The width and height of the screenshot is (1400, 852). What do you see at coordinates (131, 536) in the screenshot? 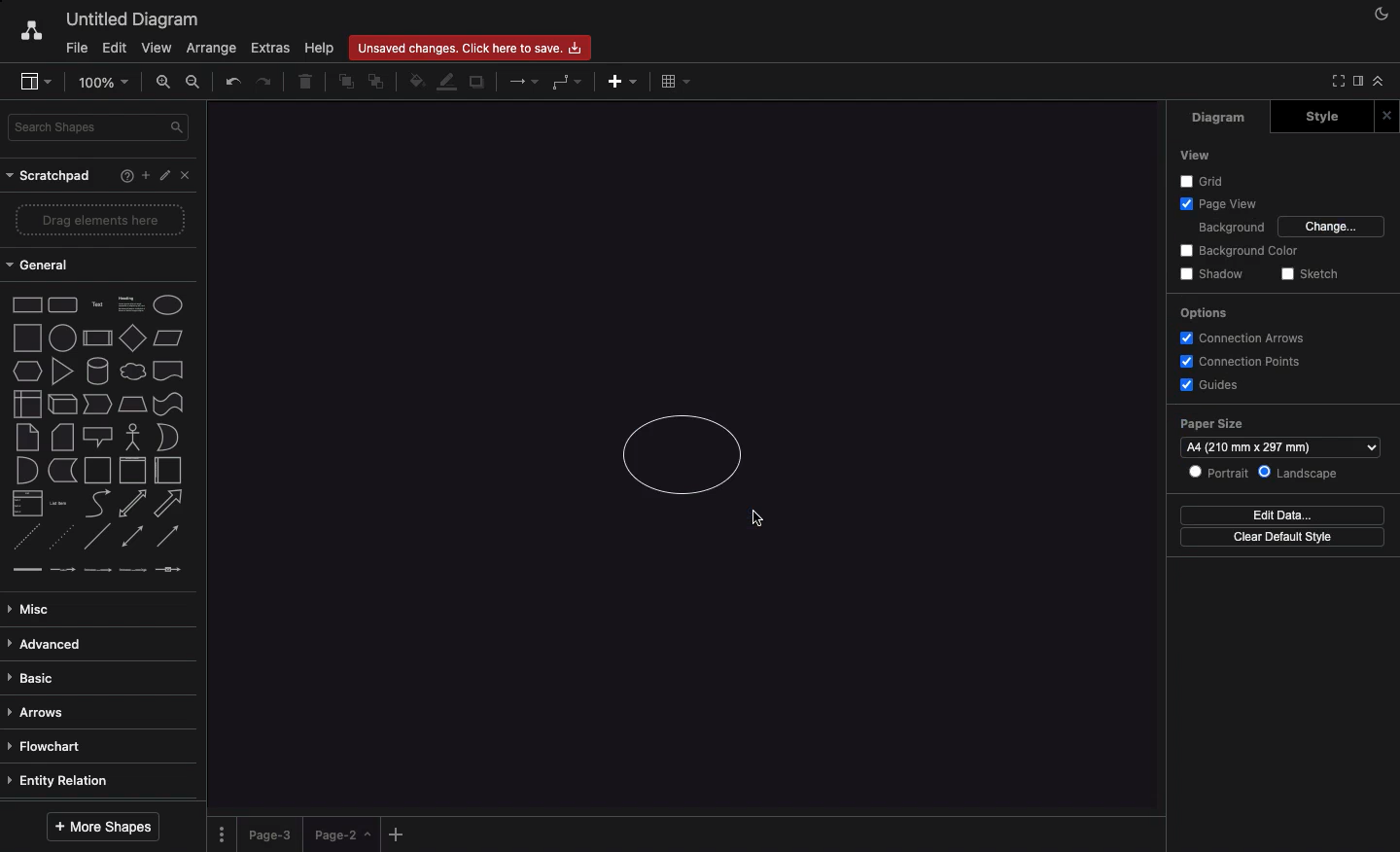
I see `bidirectional connector ` at bounding box center [131, 536].